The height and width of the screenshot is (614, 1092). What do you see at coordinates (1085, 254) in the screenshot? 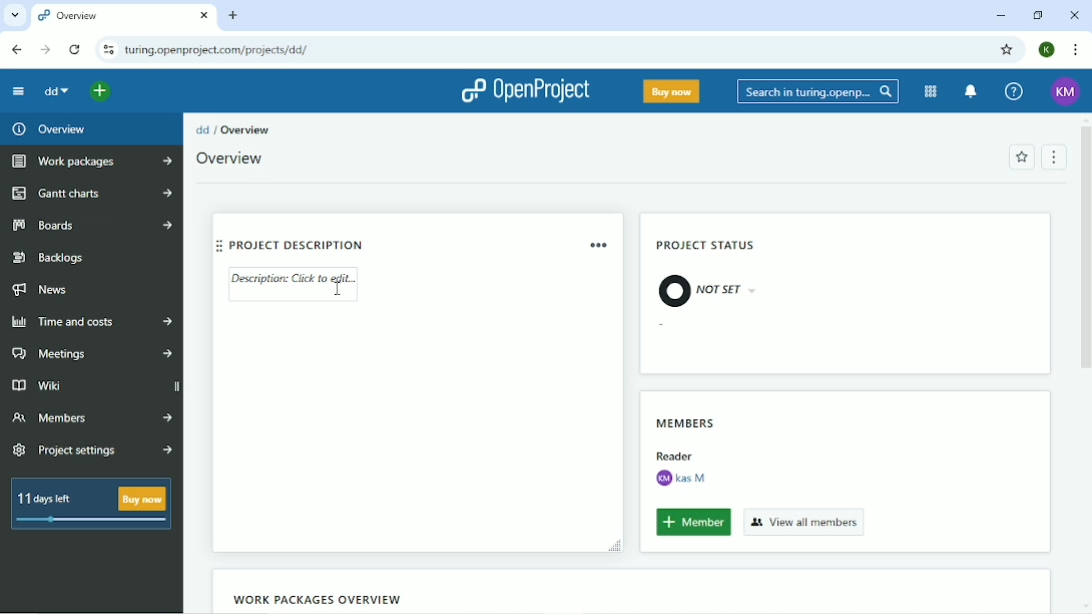
I see `Vertical scrollbar` at bounding box center [1085, 254].